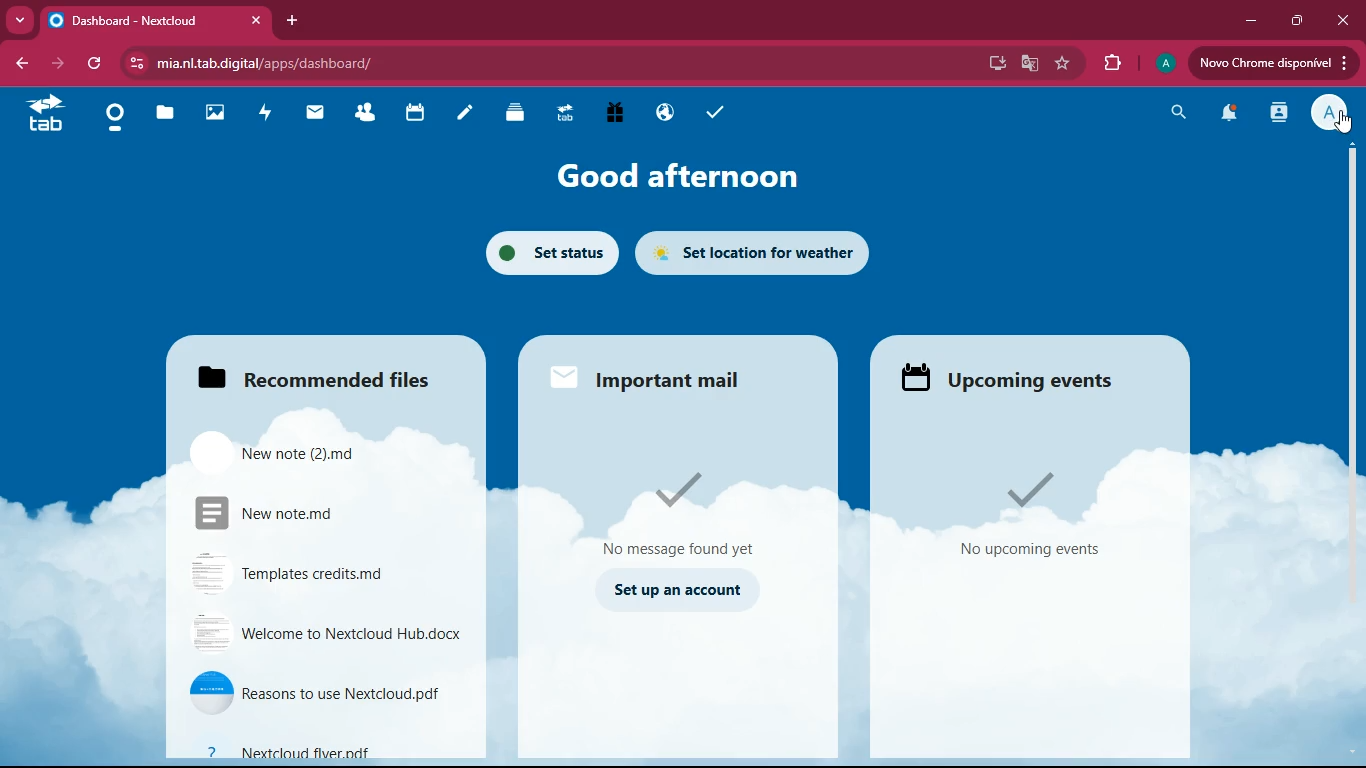 This screenshot has width=1366, height=768. Describe the element at coordinates (1246, 20) in the screenshot. I see `minimize` at that location.